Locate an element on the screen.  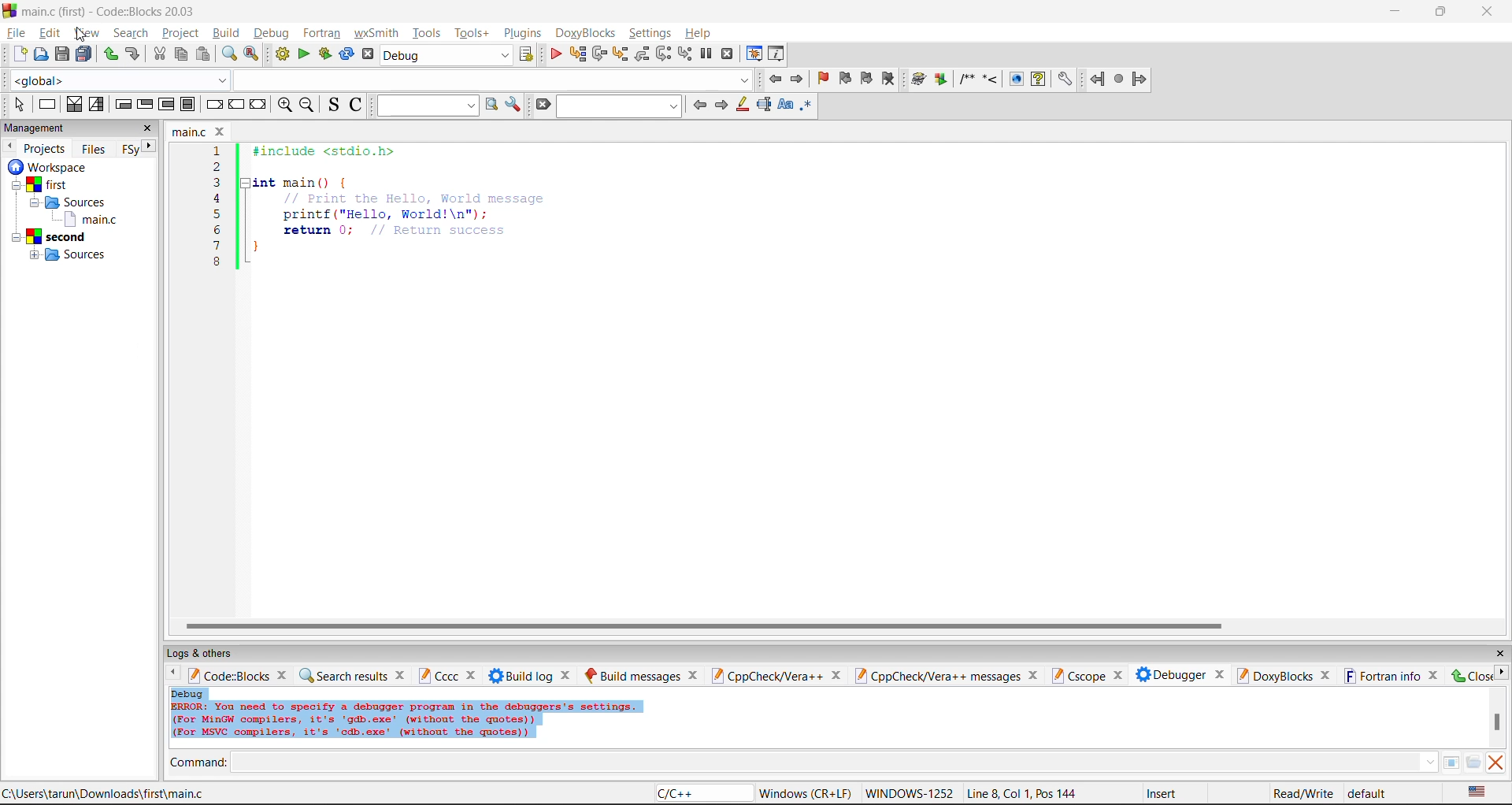
close is located at coordinates (1499, 652).